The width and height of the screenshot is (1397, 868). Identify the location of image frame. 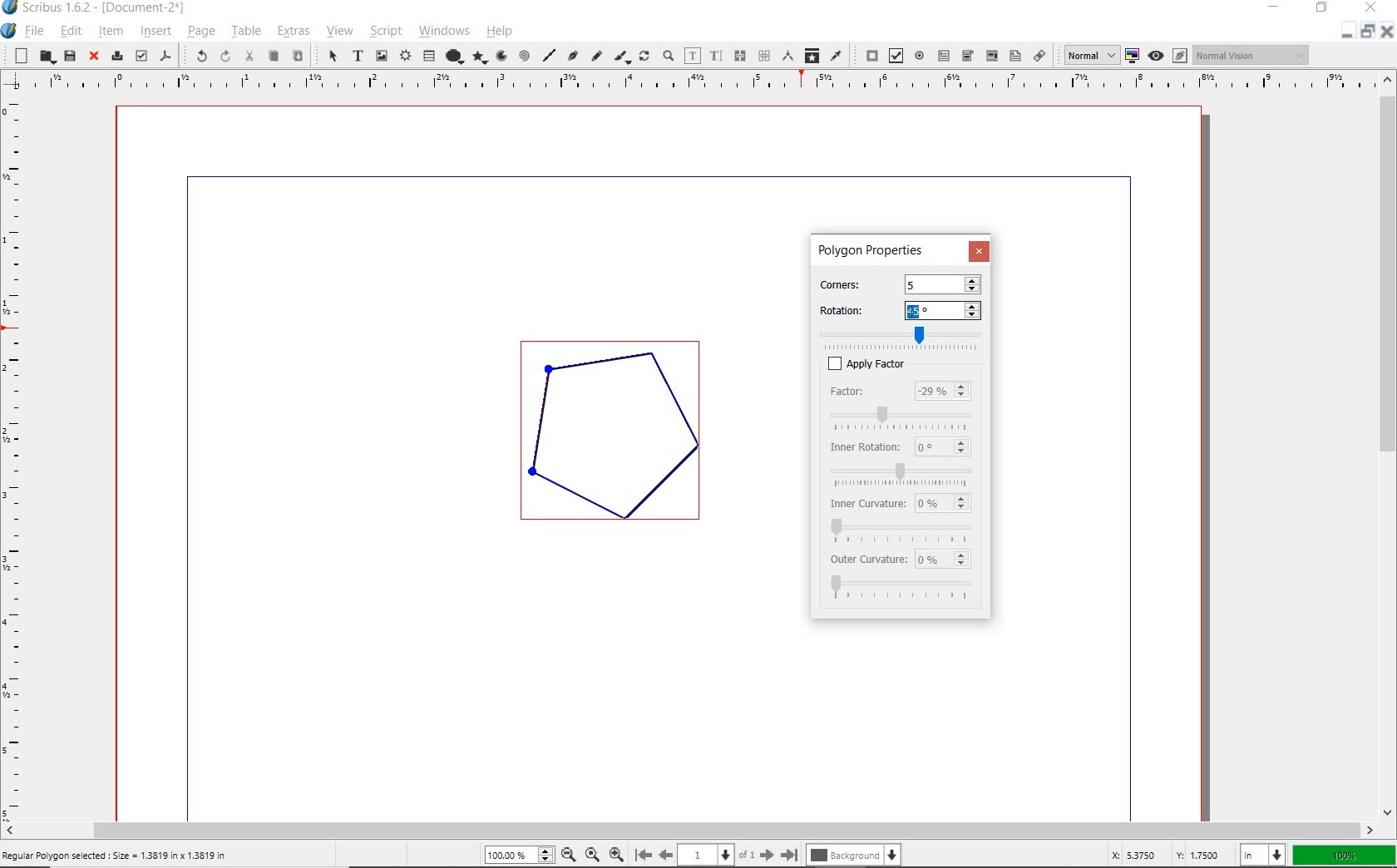
(380, 55).